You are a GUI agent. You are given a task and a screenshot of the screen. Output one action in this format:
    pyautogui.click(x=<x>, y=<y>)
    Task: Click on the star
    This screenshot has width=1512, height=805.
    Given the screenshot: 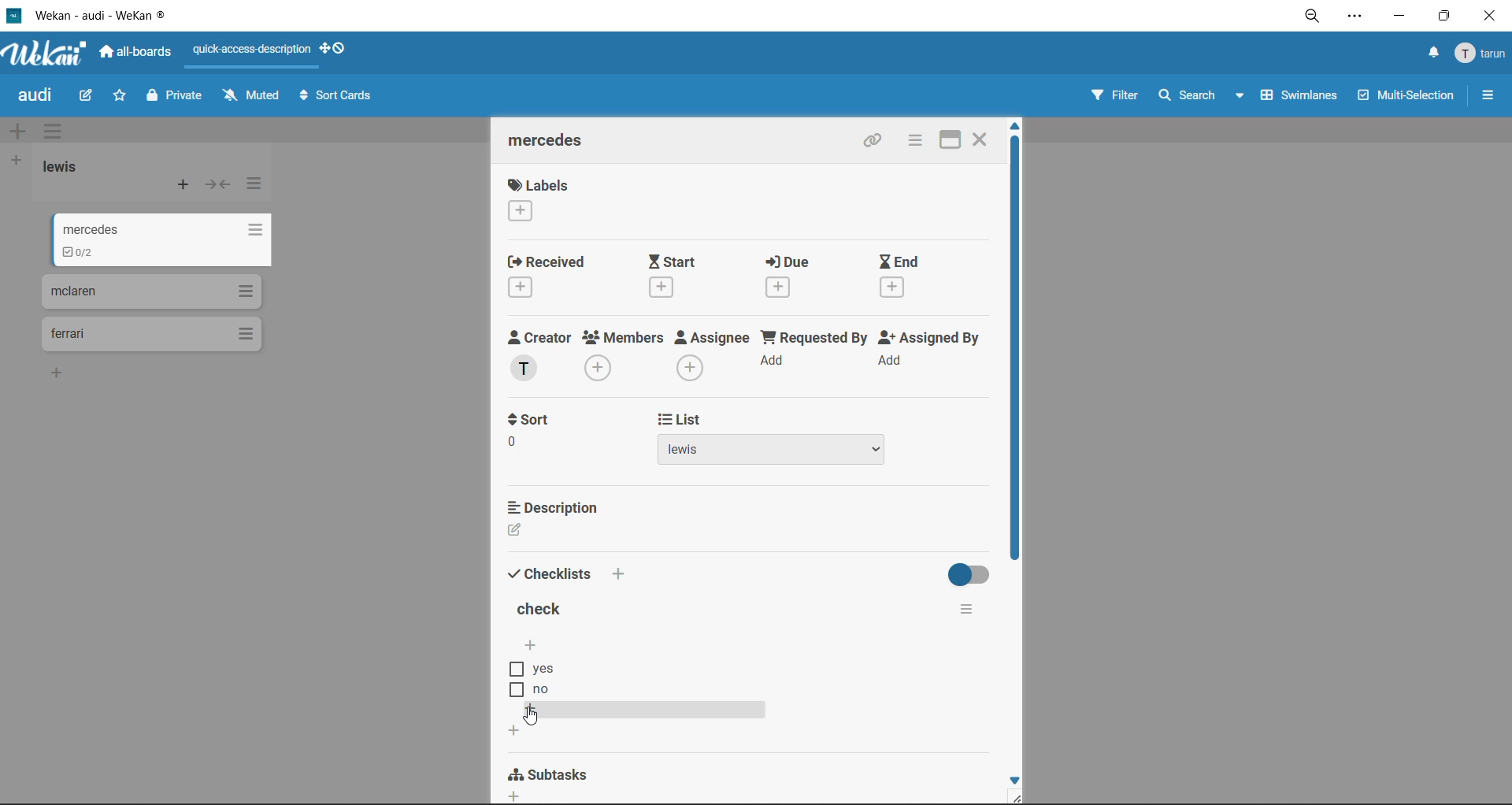 What is the action you would take?
    pyautogui.click(x=125, y=97)
    